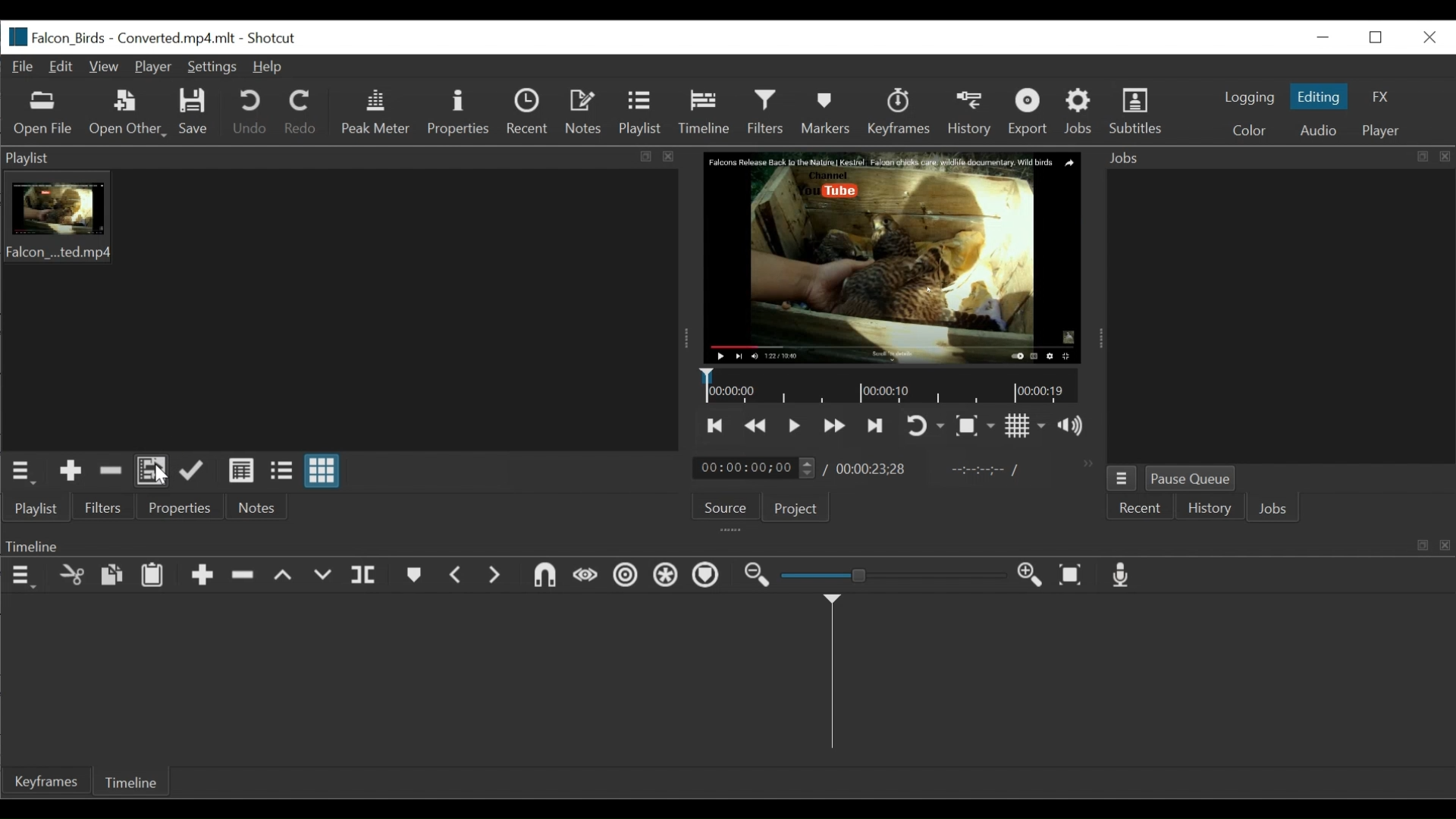 Image resolution: width=1456 pixels, height=819 pixels. I want to click on Jobs Panel, so click(1276, 158).